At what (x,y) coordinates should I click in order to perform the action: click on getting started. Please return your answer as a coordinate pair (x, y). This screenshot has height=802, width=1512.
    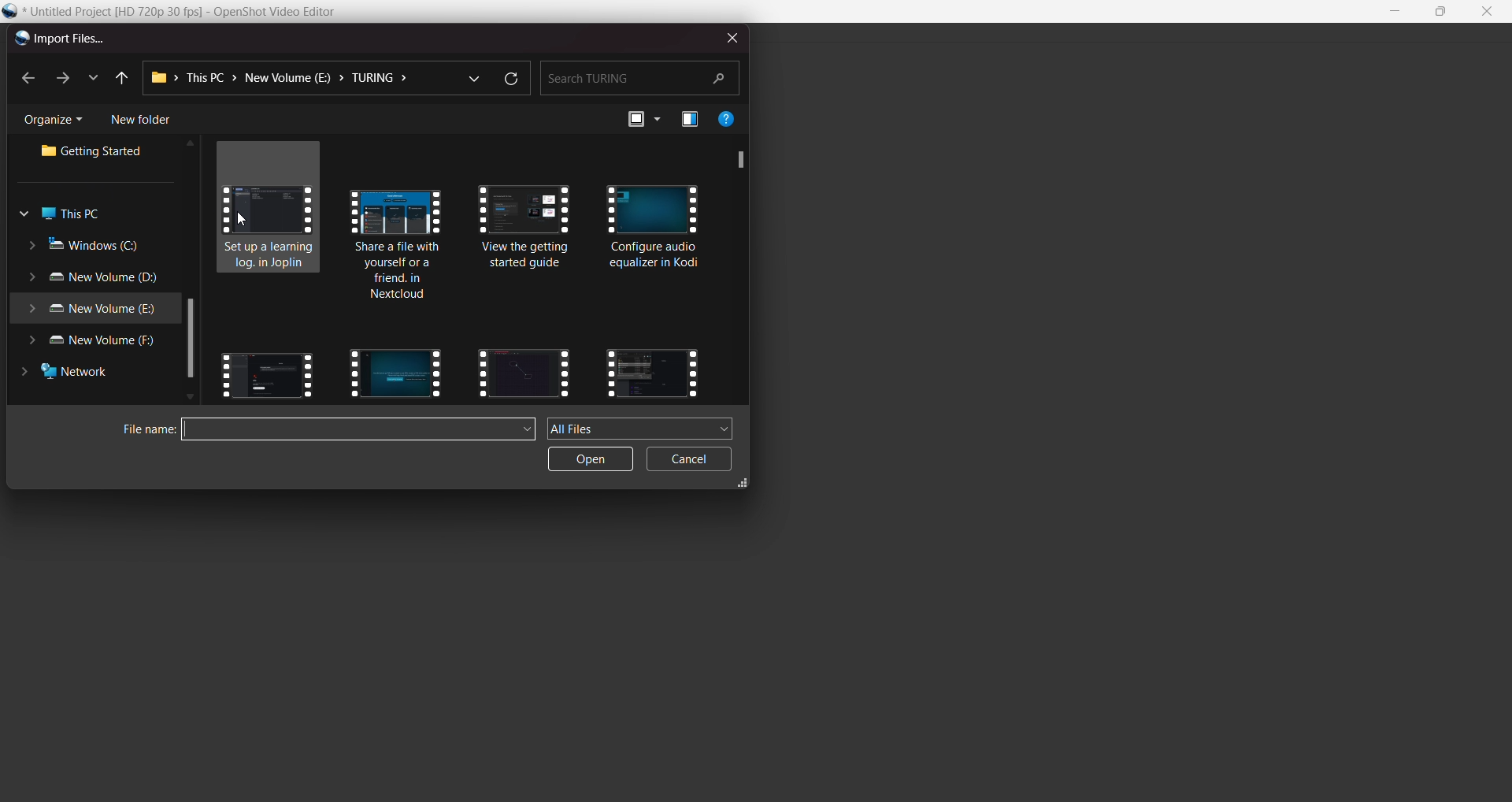
    Looking at the image, I should click on (97, 153).